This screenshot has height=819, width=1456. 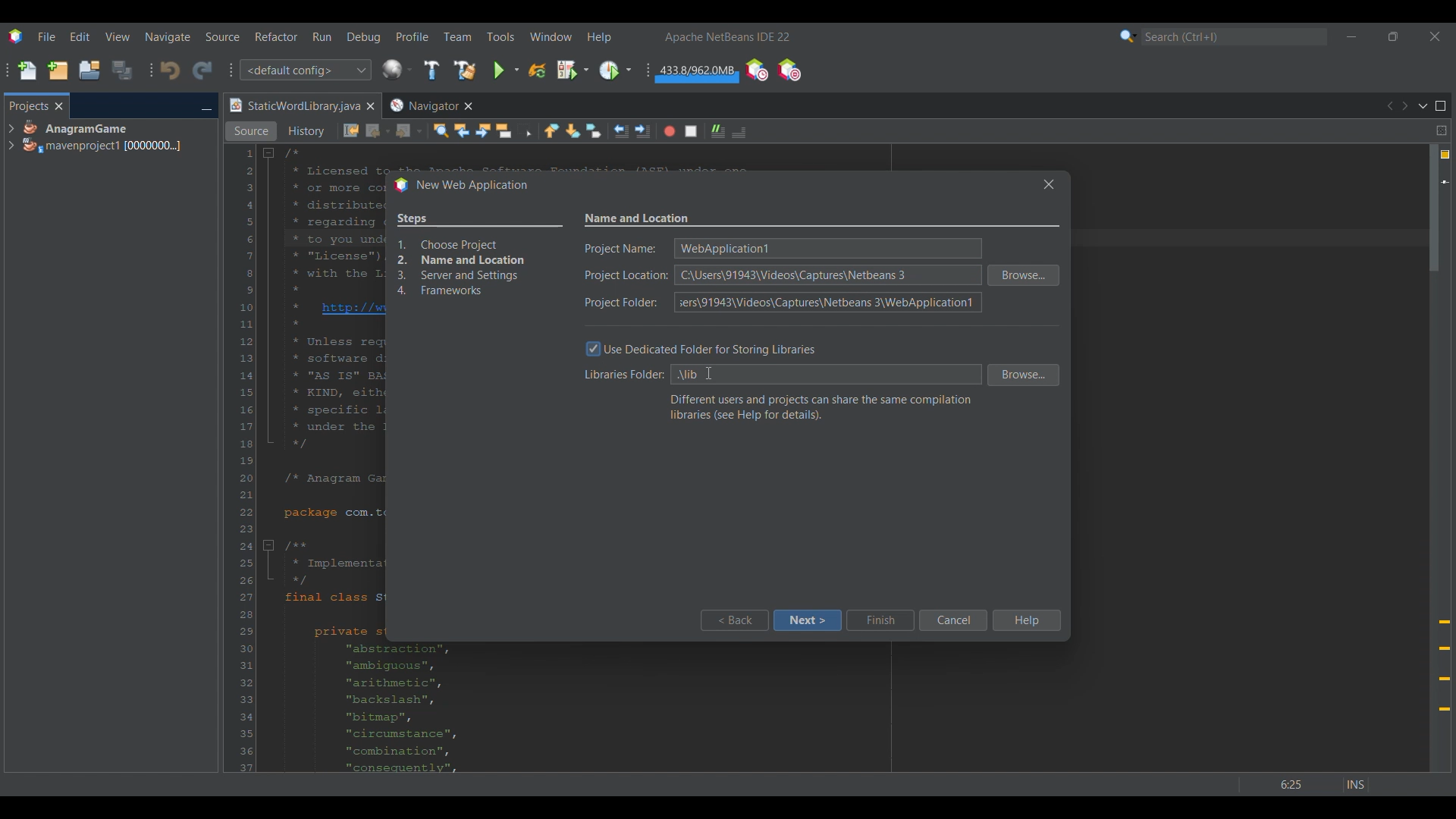 What do you see at coordinates (1441, 130) in the screenshot?
I see `Split window horizontally or vertically` at bounding box center [1441, 130].